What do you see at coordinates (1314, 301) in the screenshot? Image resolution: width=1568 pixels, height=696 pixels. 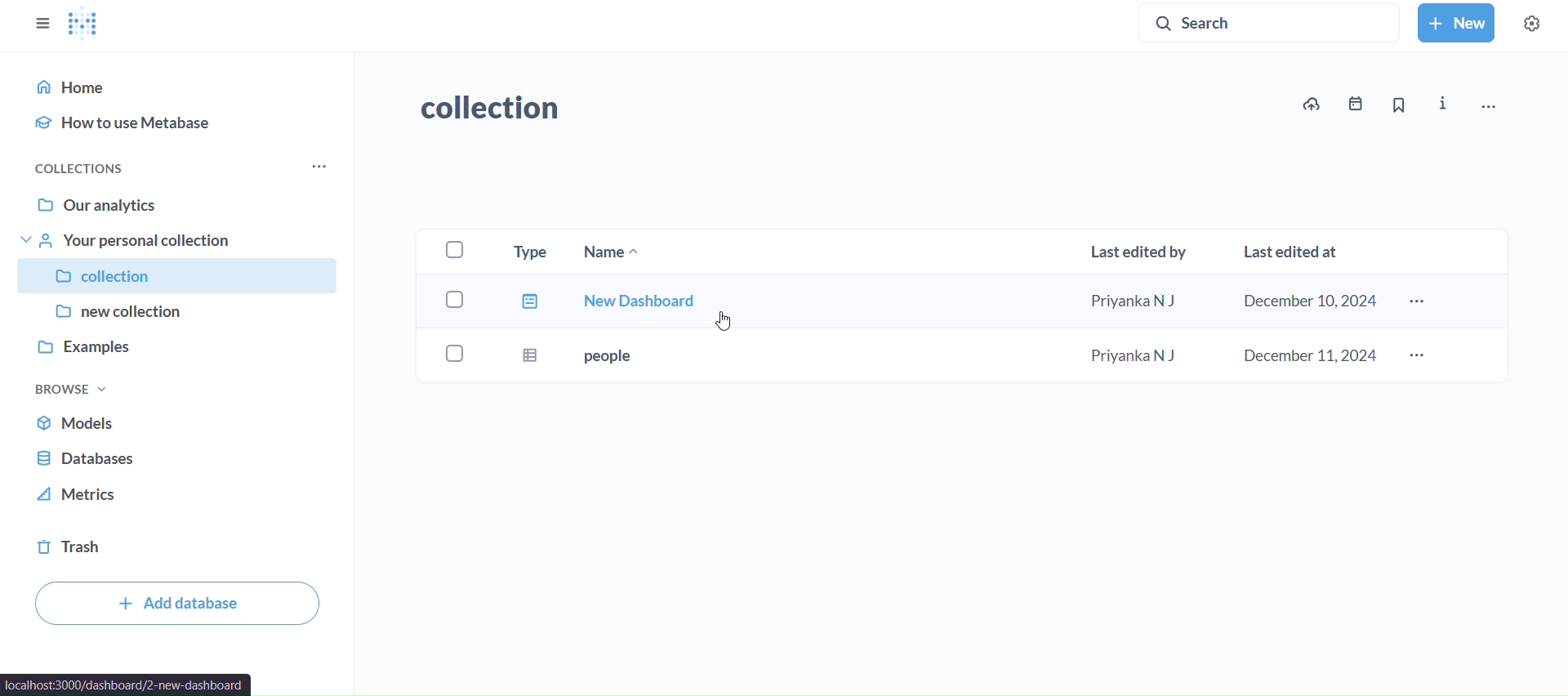 I see `december 10,2024` at bounding box center [1314, 301].